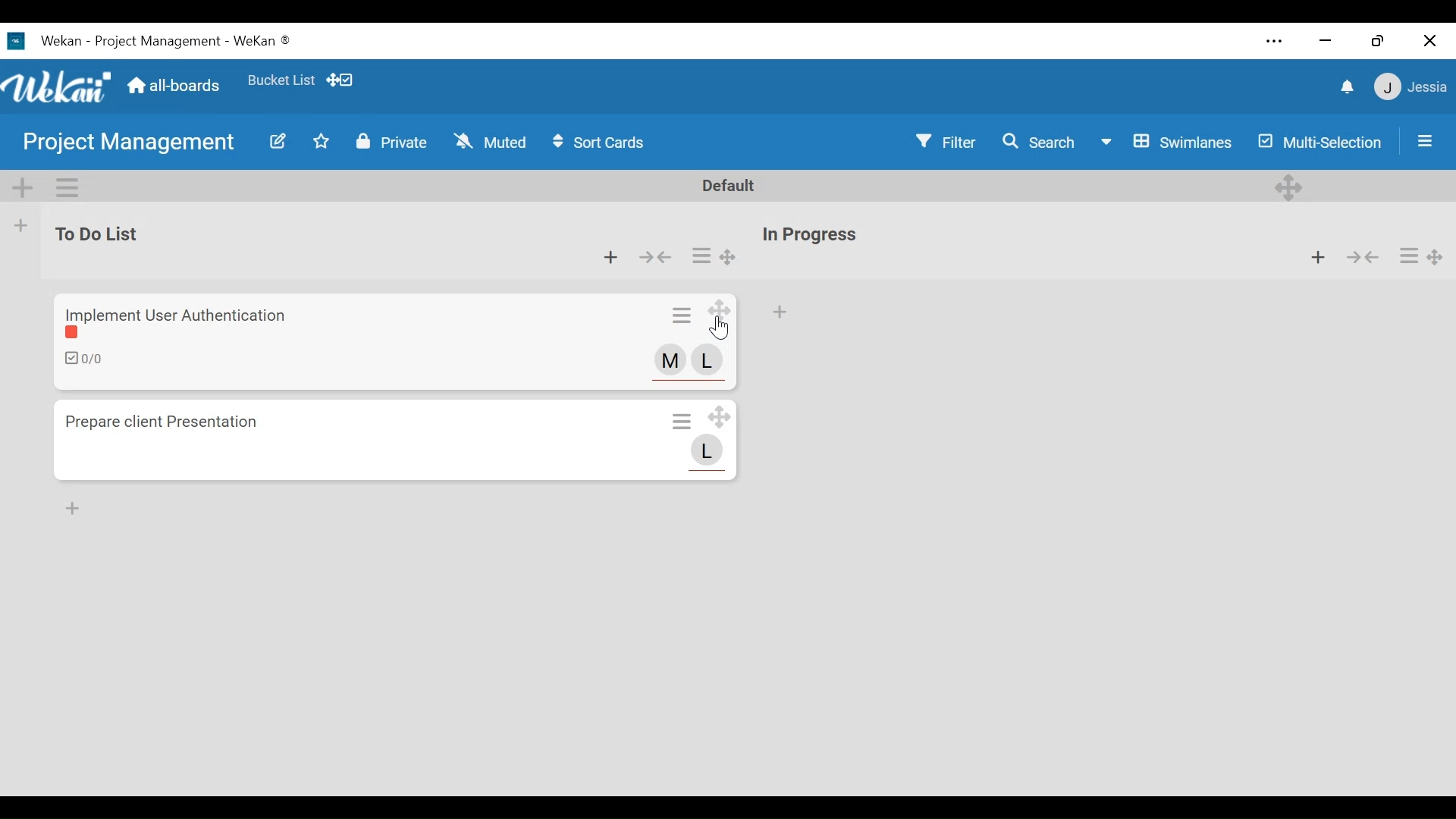 This screenshot has height=819, width=1456. Describe the element at coordinates (613, 257) in the screenshot. I see `Add card to top of the list` at that location.